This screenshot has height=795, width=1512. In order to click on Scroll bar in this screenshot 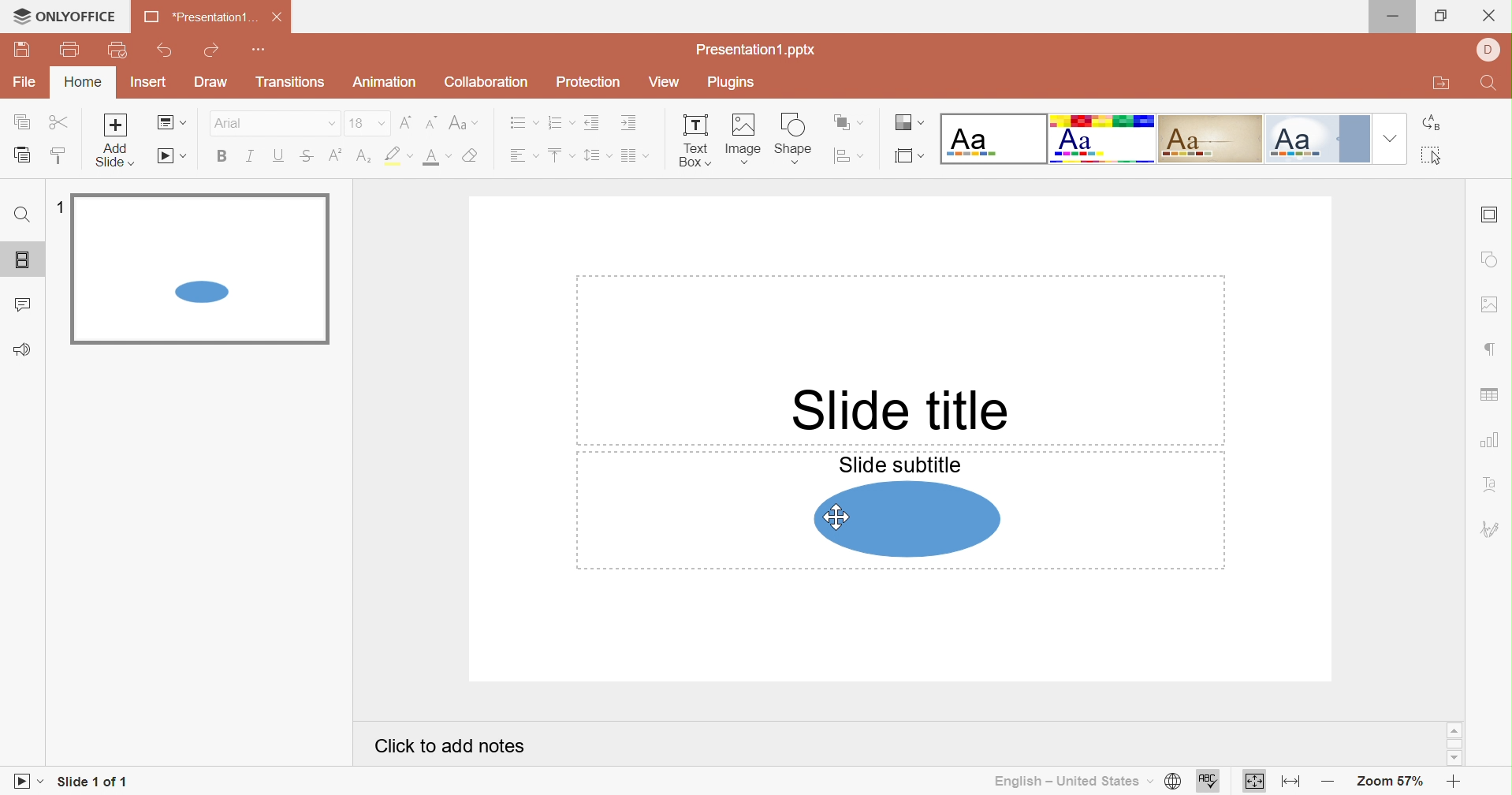, I will do `click(1454, 743)`.